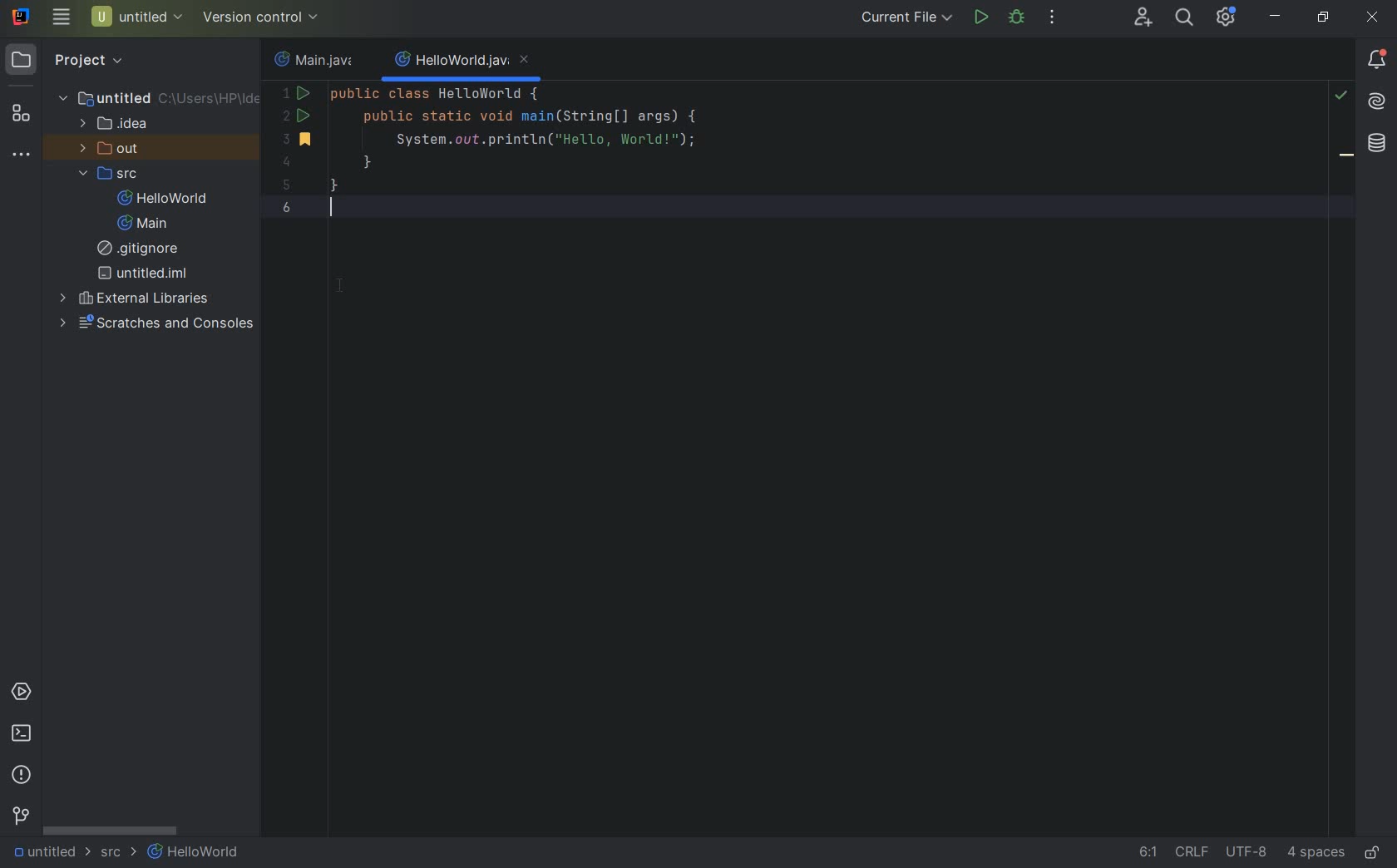 The width and height of the screenshot is (1397, 868). I want to click on highlight all problems, so click(1342, 98).